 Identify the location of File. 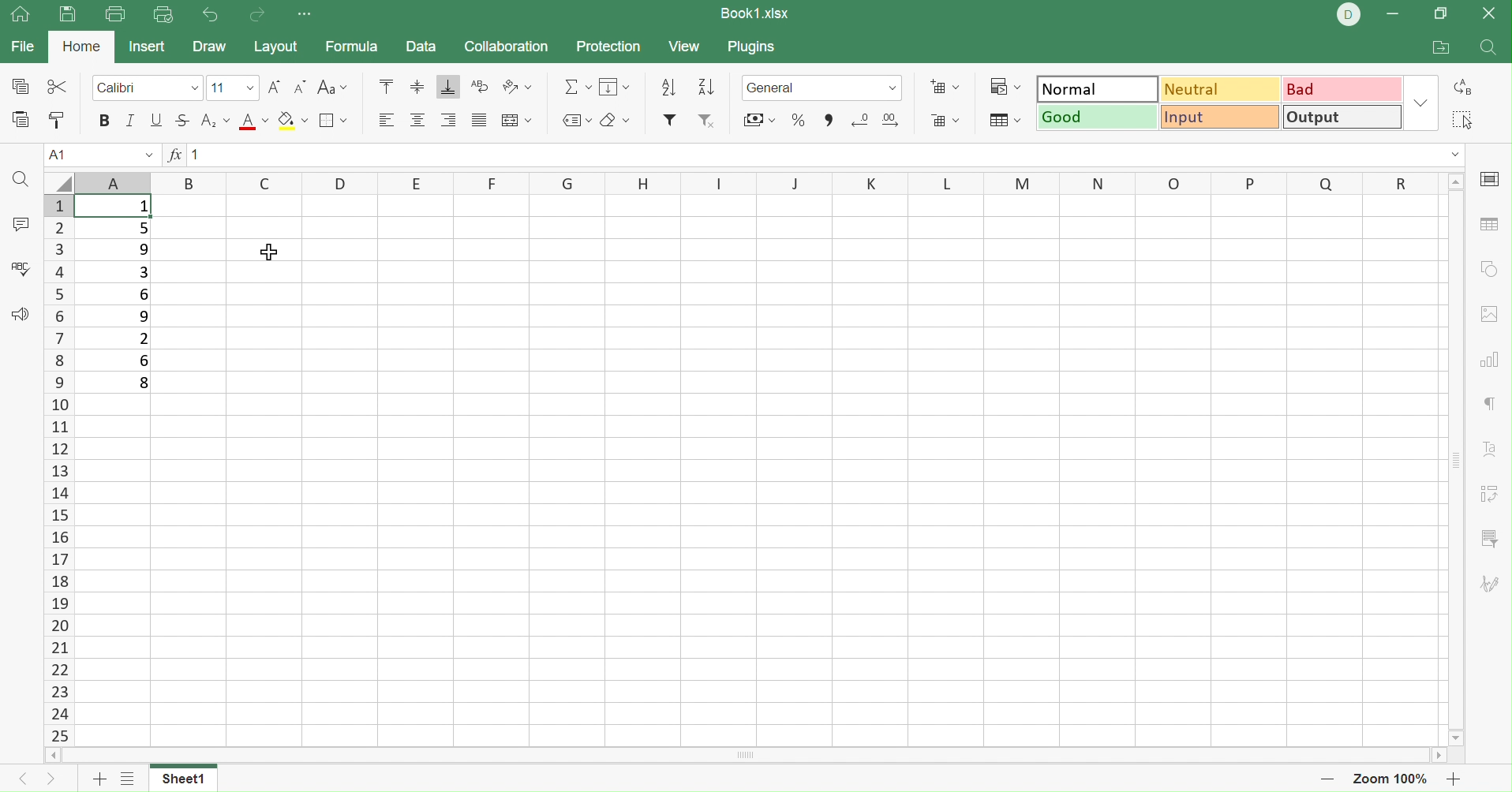
(23, 47).